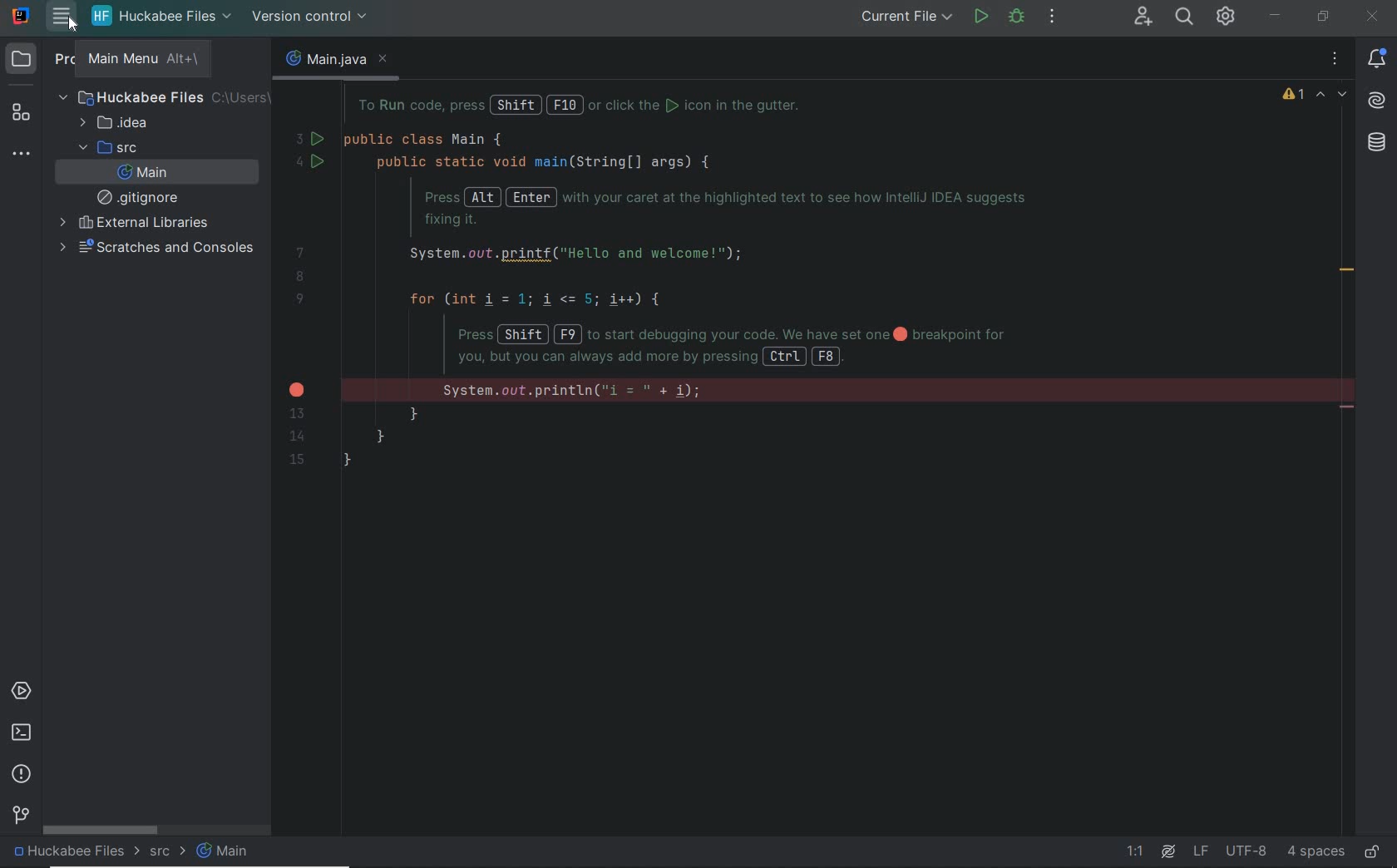  I want to click on services, so click(22, 690).